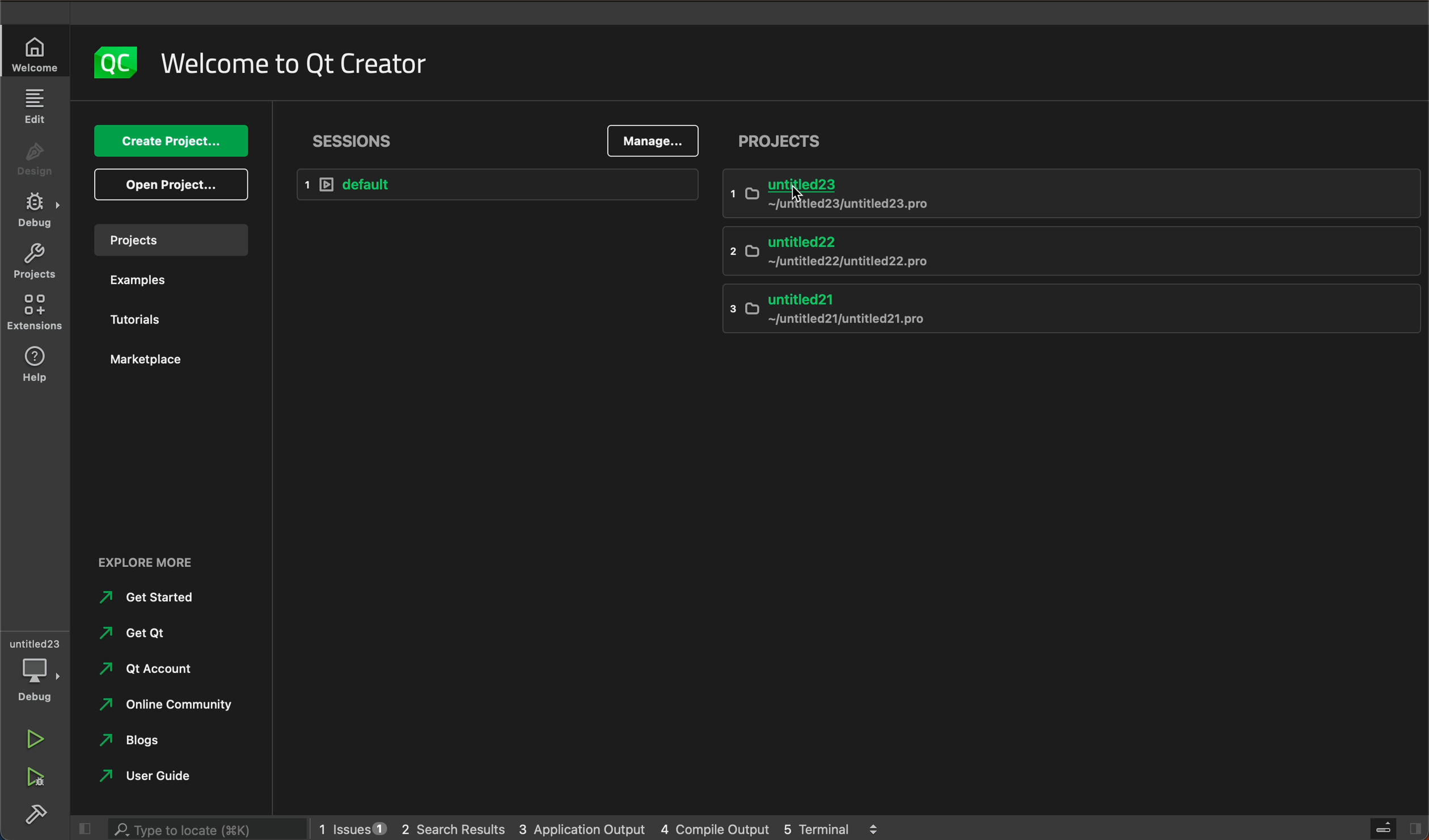  What do you see at coordinates (34, 264) in the screenshot?
I see `project` at bounding box center [34, 264].